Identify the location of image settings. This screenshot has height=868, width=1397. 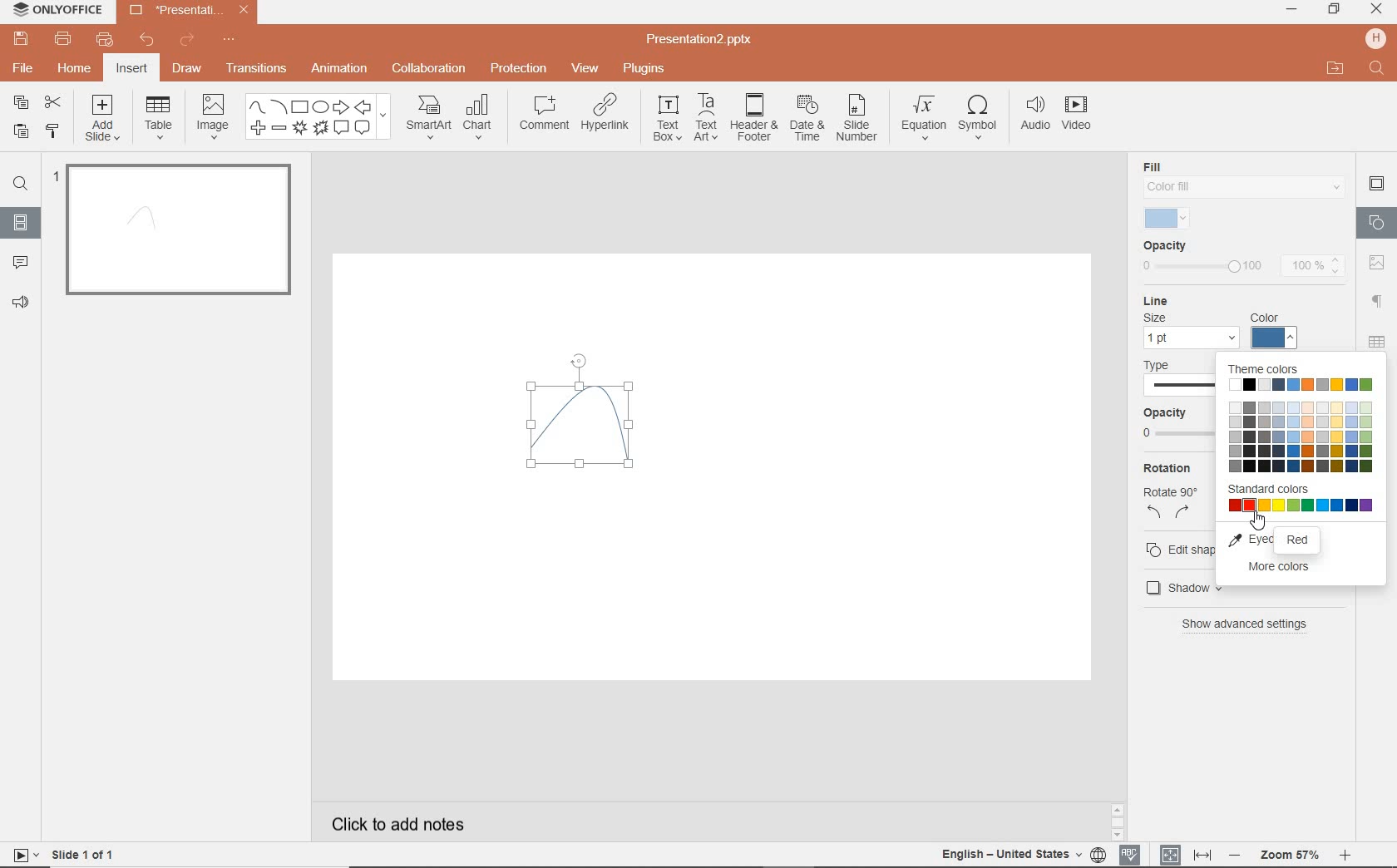
(1377, 262).